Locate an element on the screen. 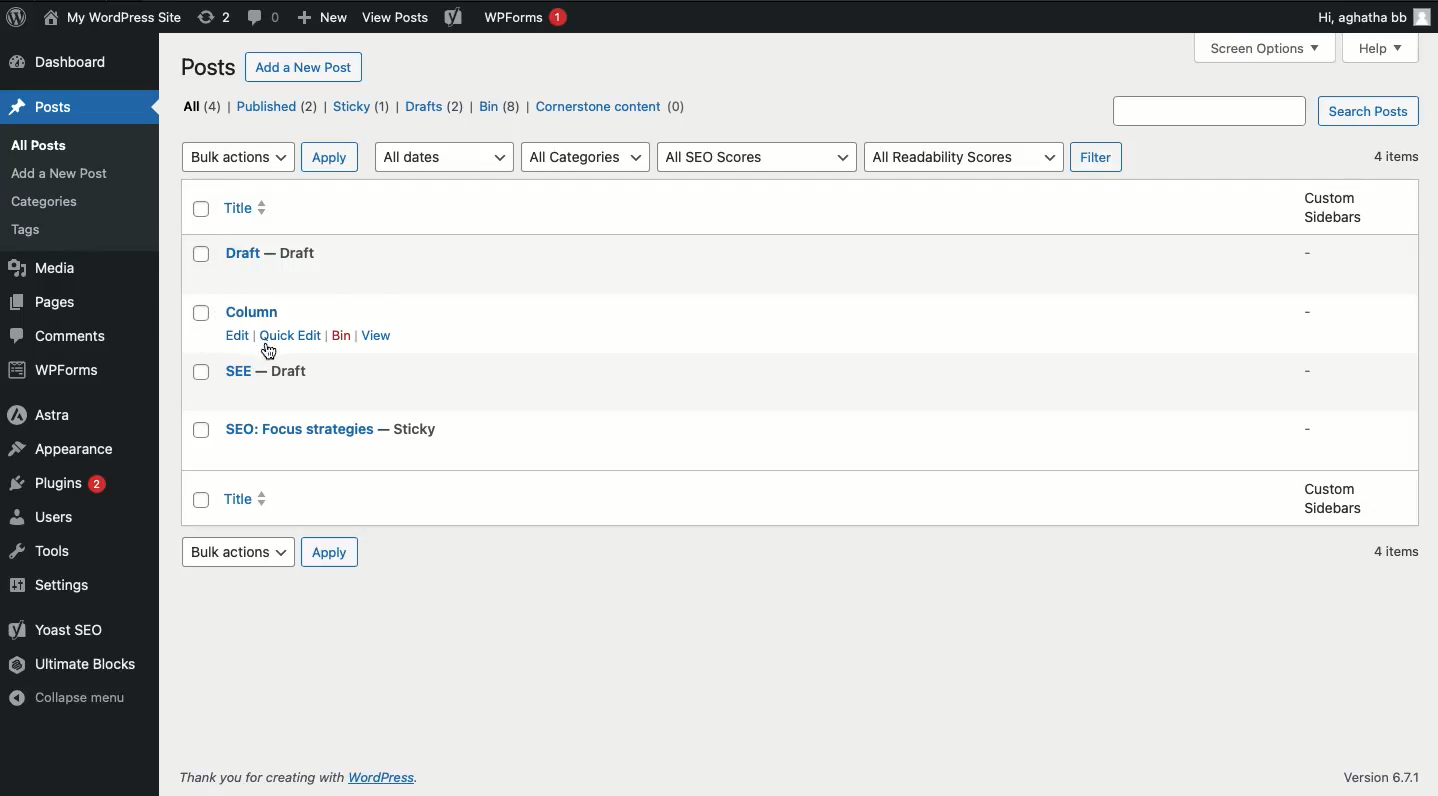  Apply is located at coordinates (332, 554).